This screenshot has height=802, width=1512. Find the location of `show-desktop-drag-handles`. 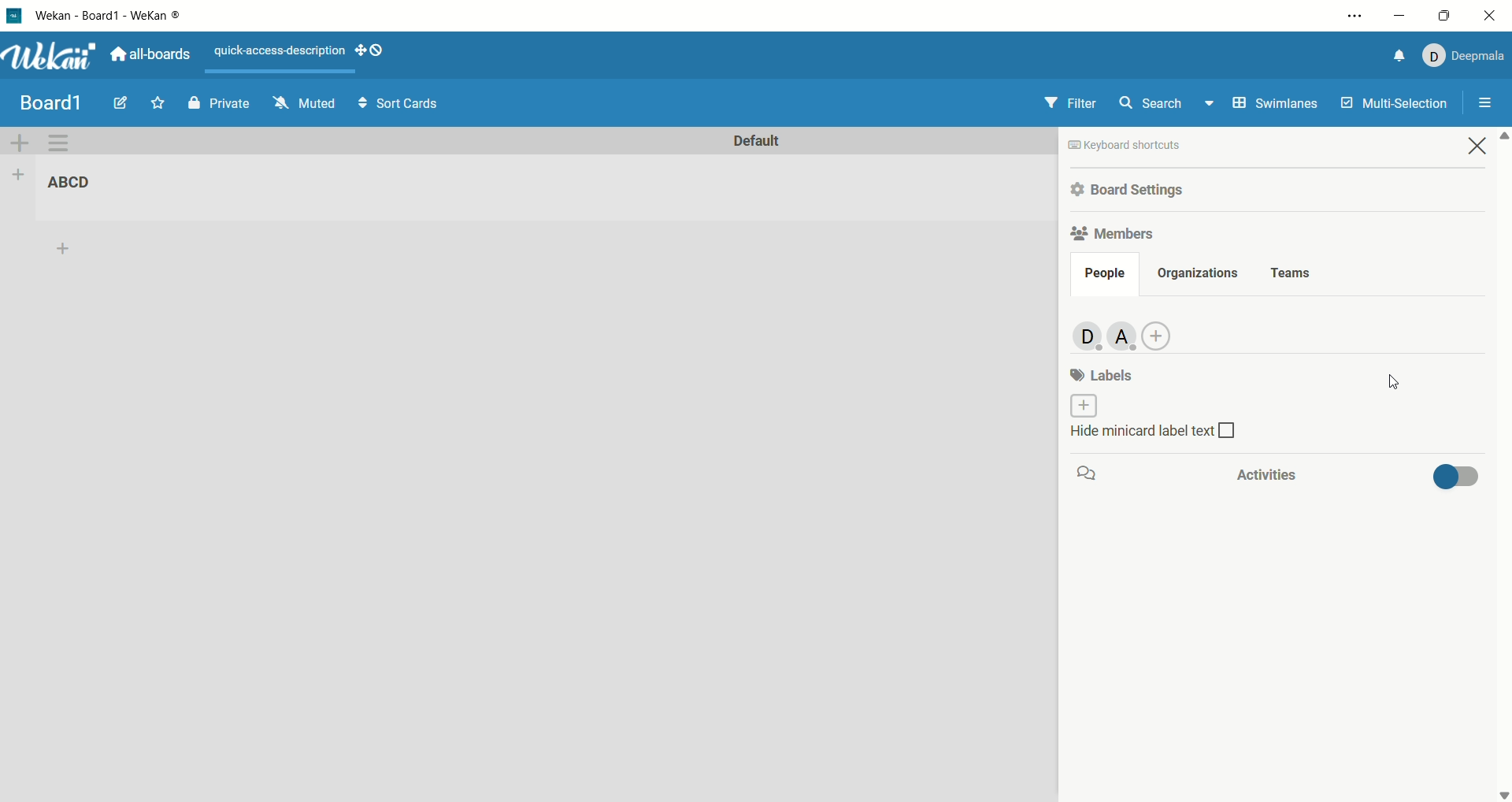

show-desktop-drag-handles is located at coordinates (380, 49).